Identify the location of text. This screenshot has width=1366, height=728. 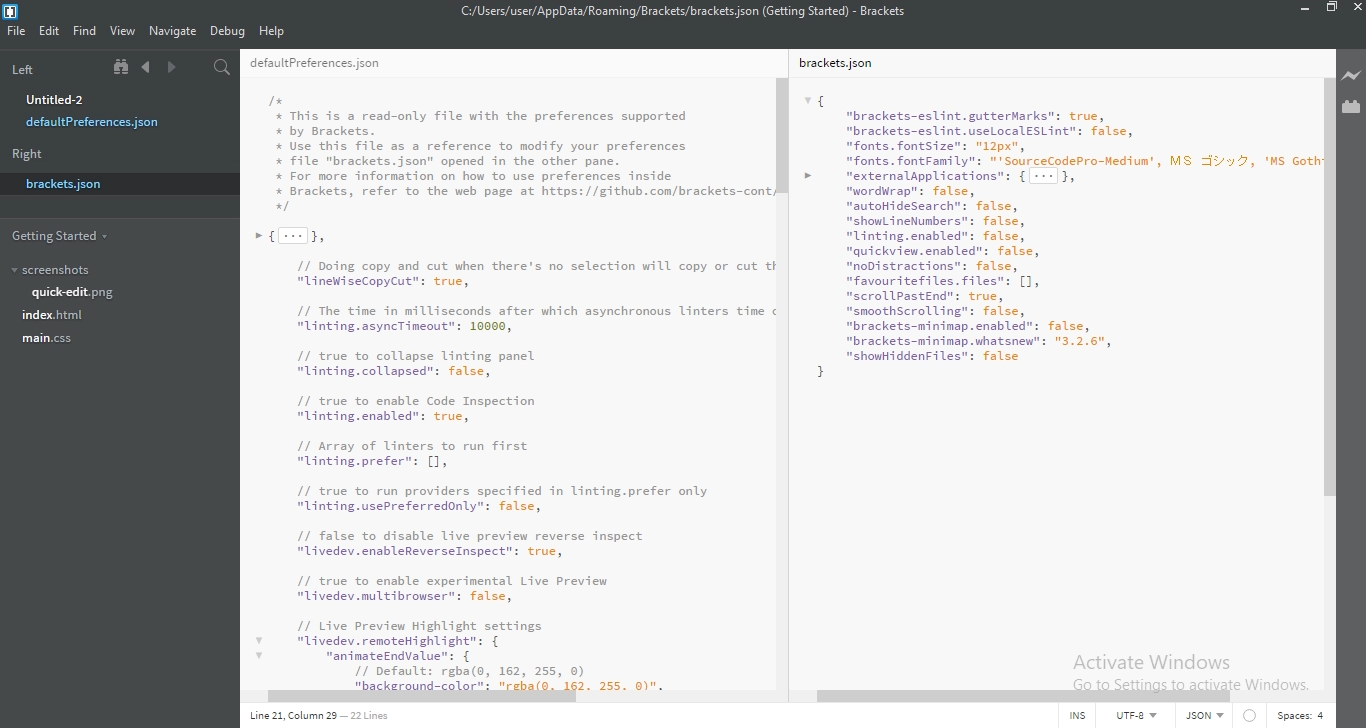
(1209, 716).